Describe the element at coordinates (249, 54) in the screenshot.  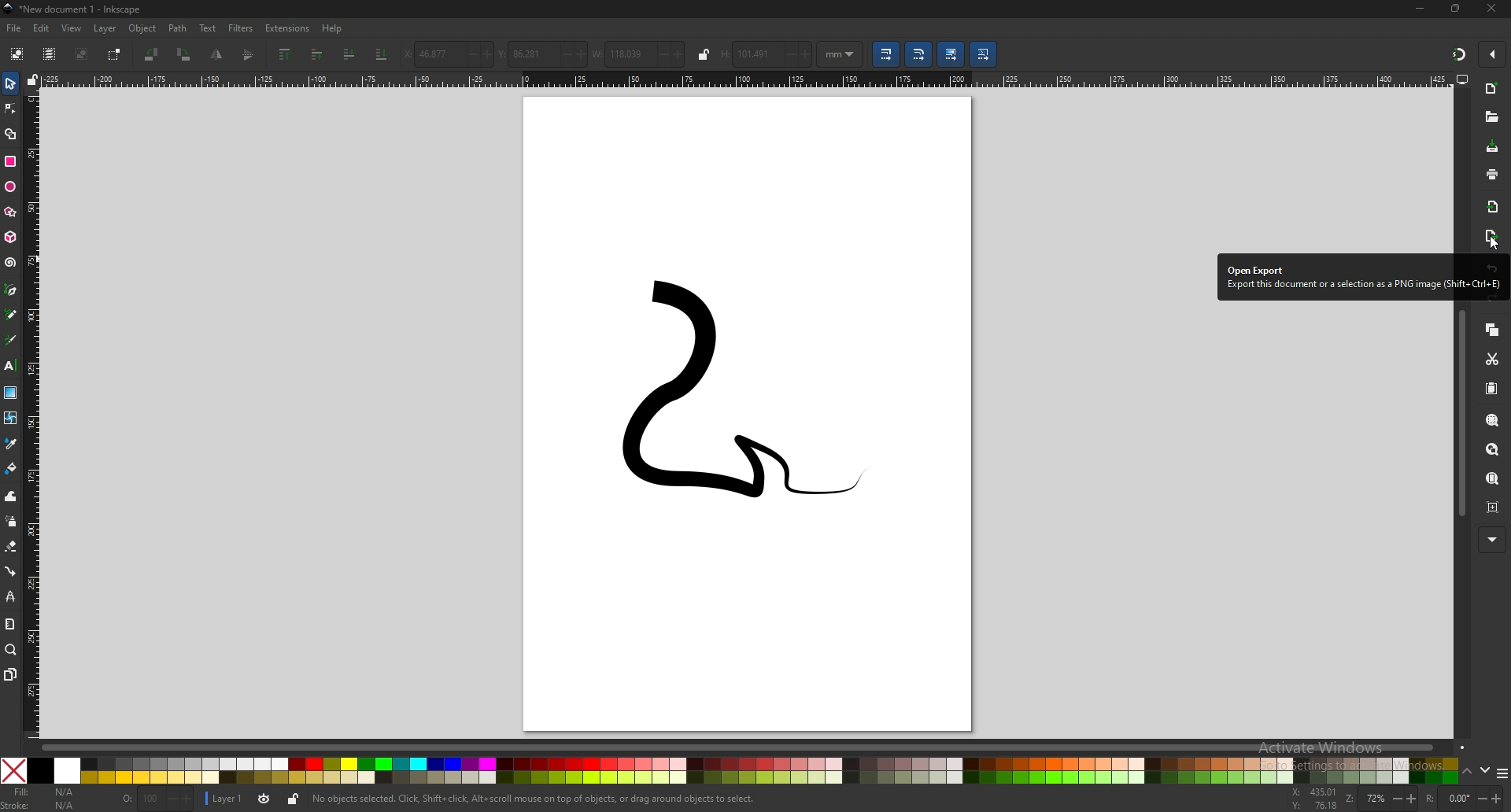
I see `flip horizontally` at that location.